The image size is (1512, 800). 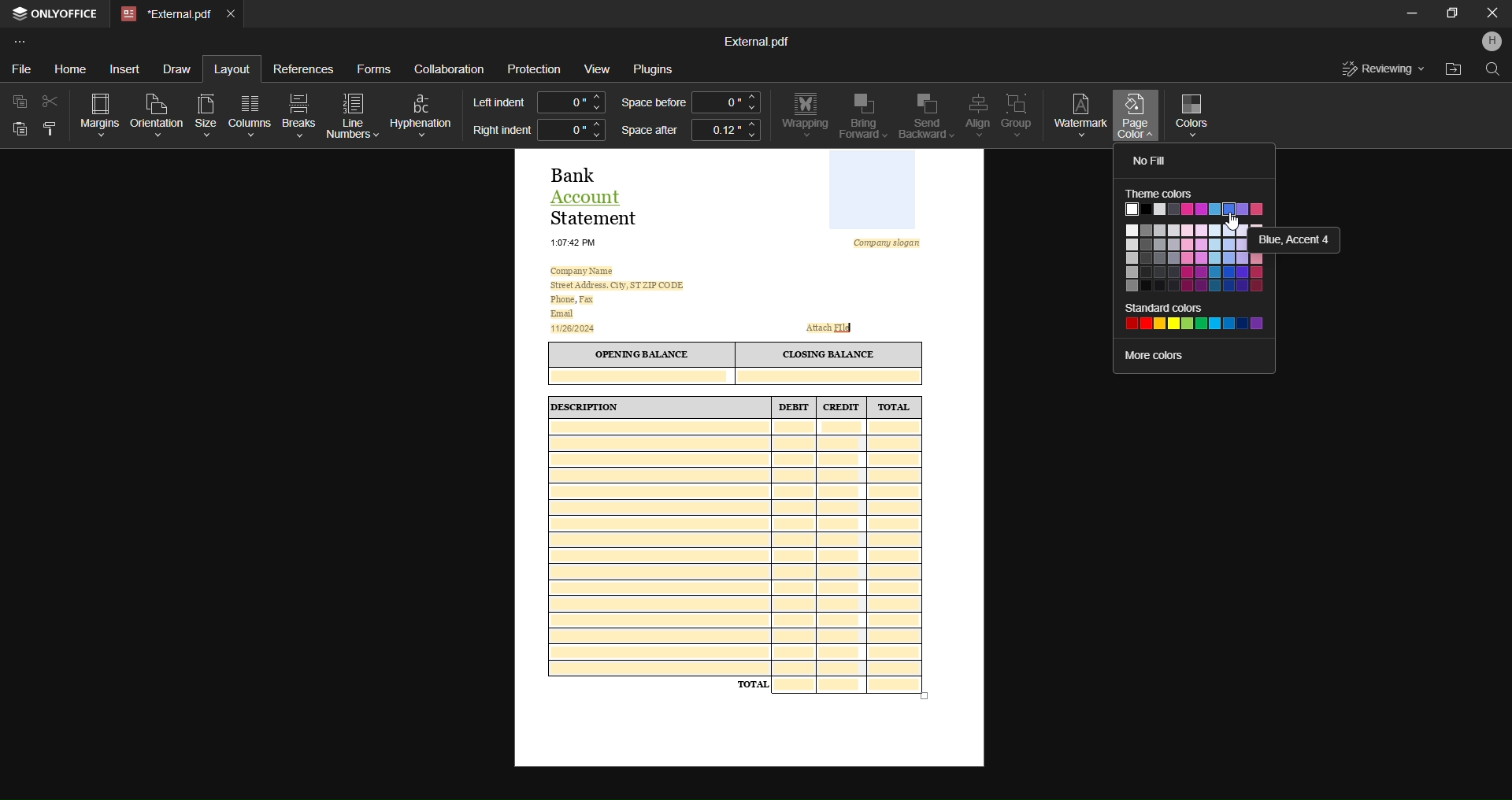 I want to click on Right Indent, so click(x=501, y=131).